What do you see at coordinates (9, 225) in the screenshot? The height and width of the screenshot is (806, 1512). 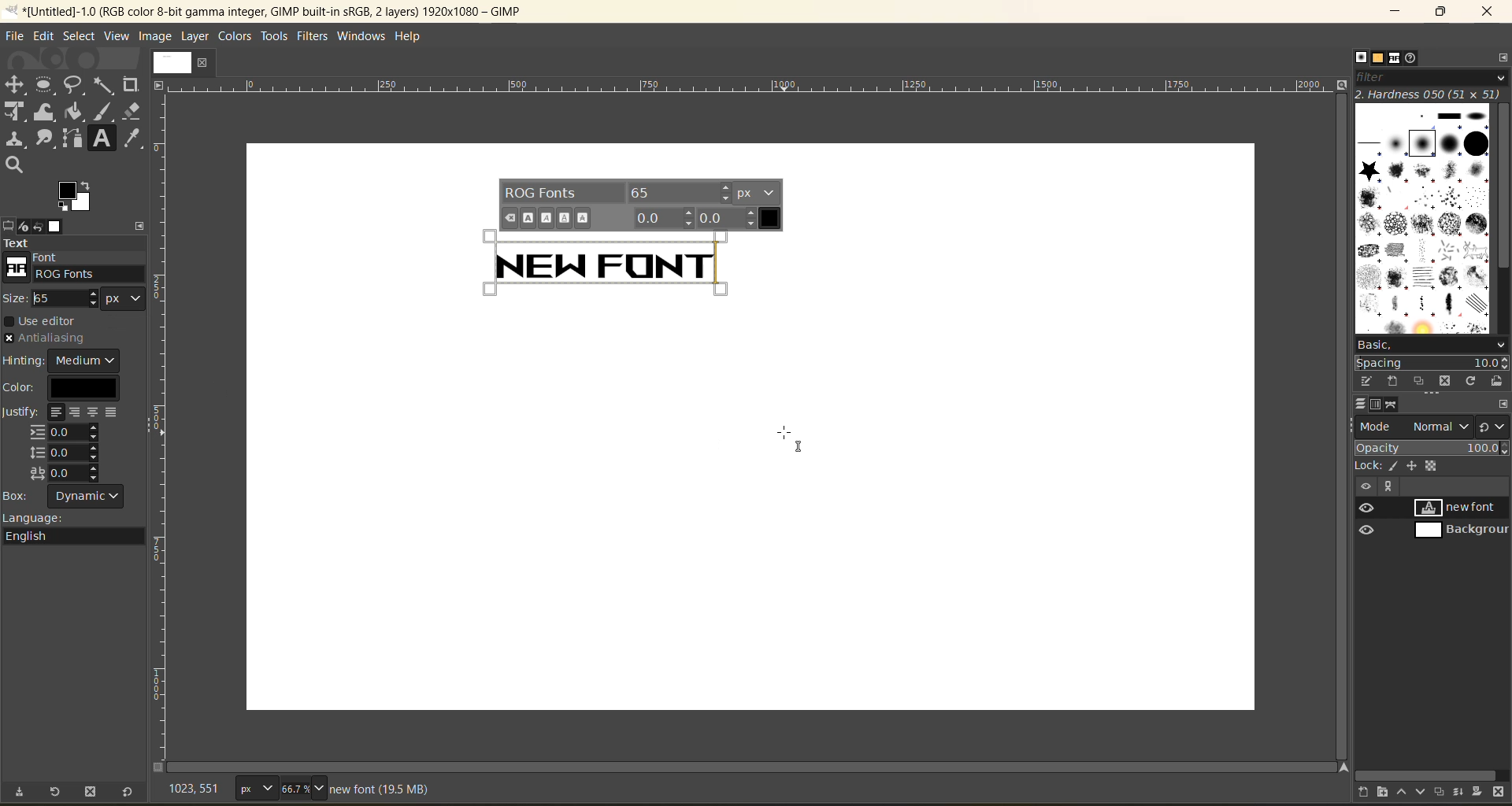 I see `tool options` at bounding box center [9, 225].